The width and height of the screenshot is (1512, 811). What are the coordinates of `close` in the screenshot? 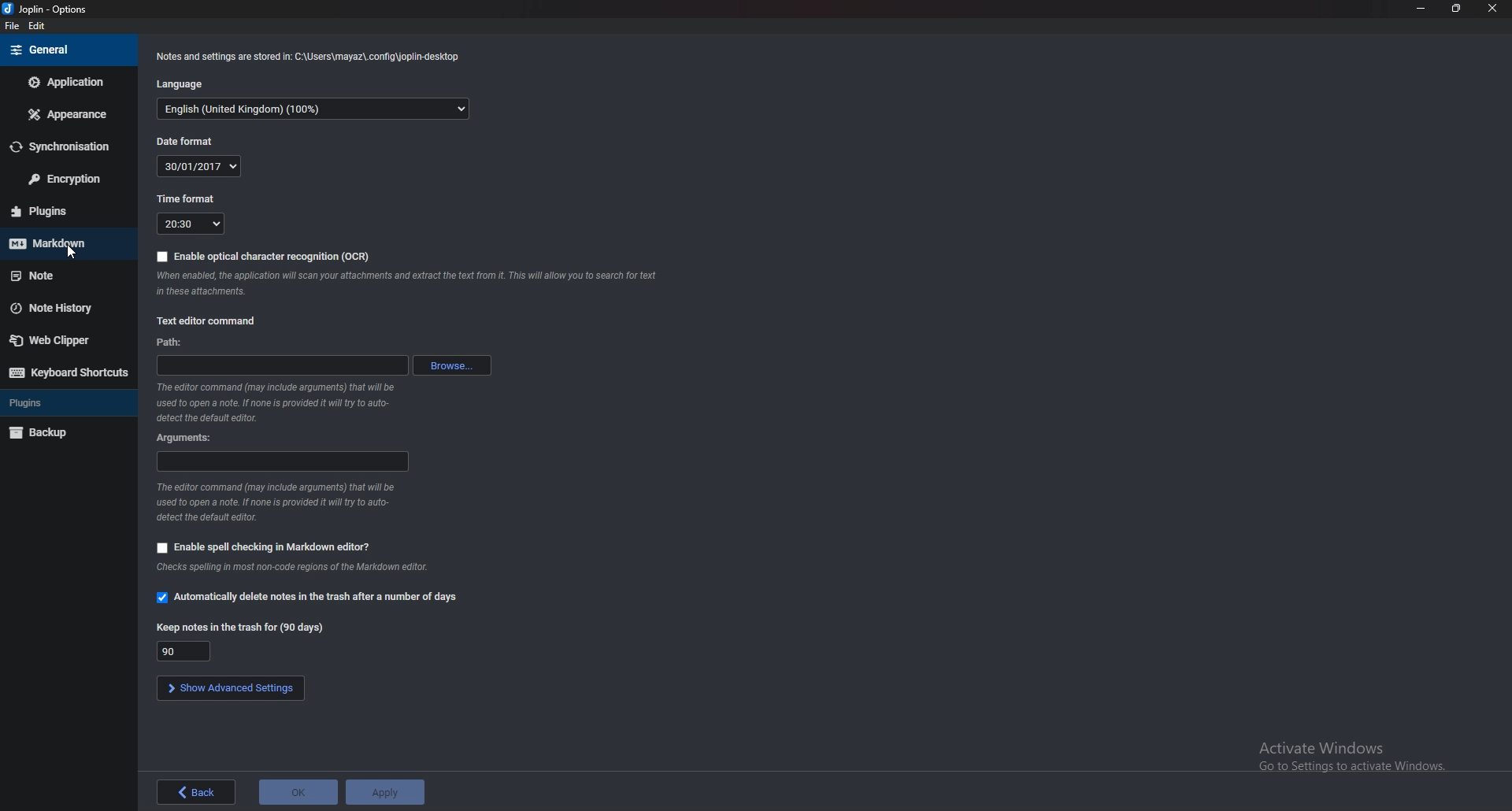 It's located at (1490, 9).